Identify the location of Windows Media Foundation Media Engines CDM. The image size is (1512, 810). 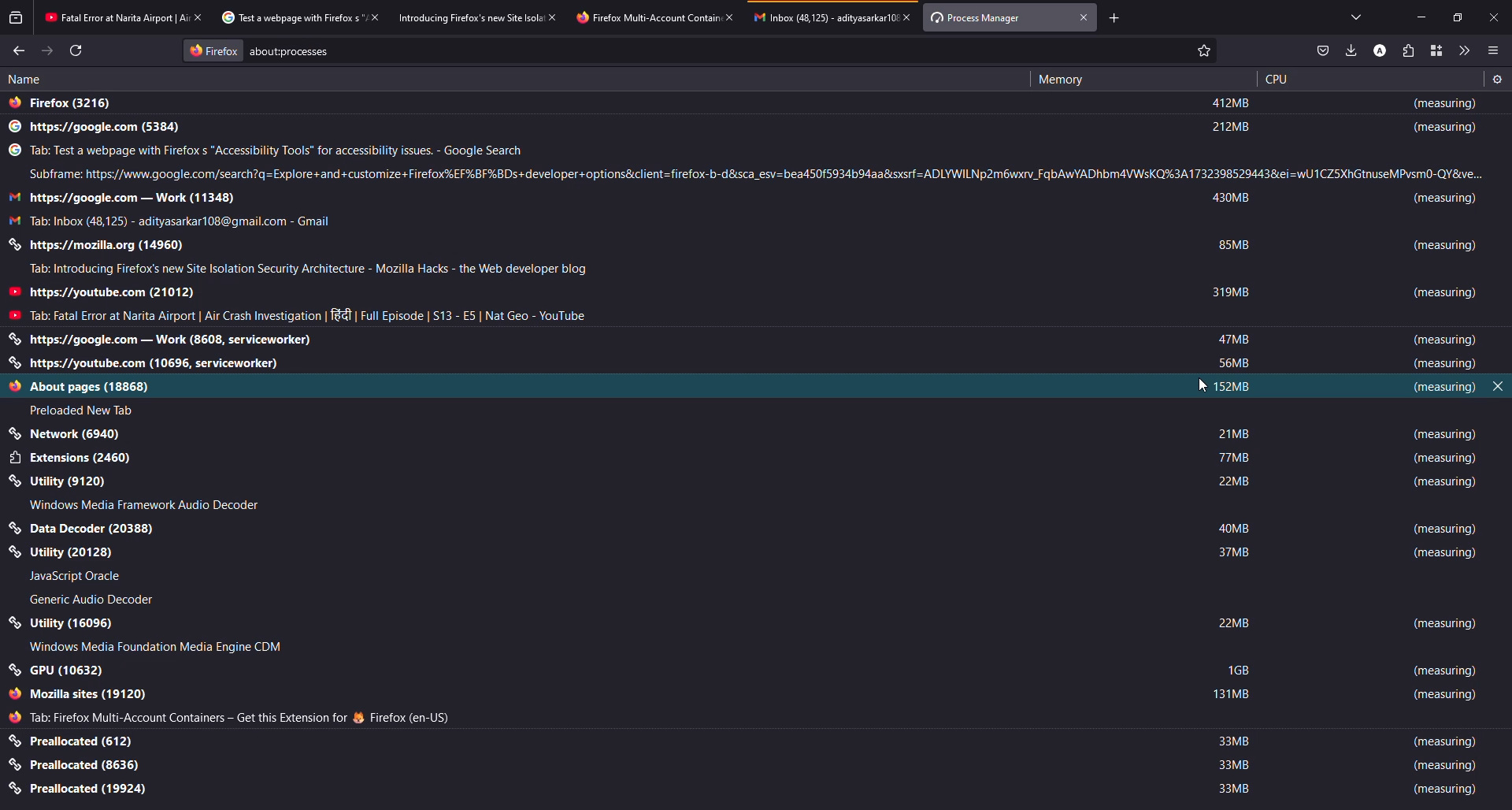
(151, 645).